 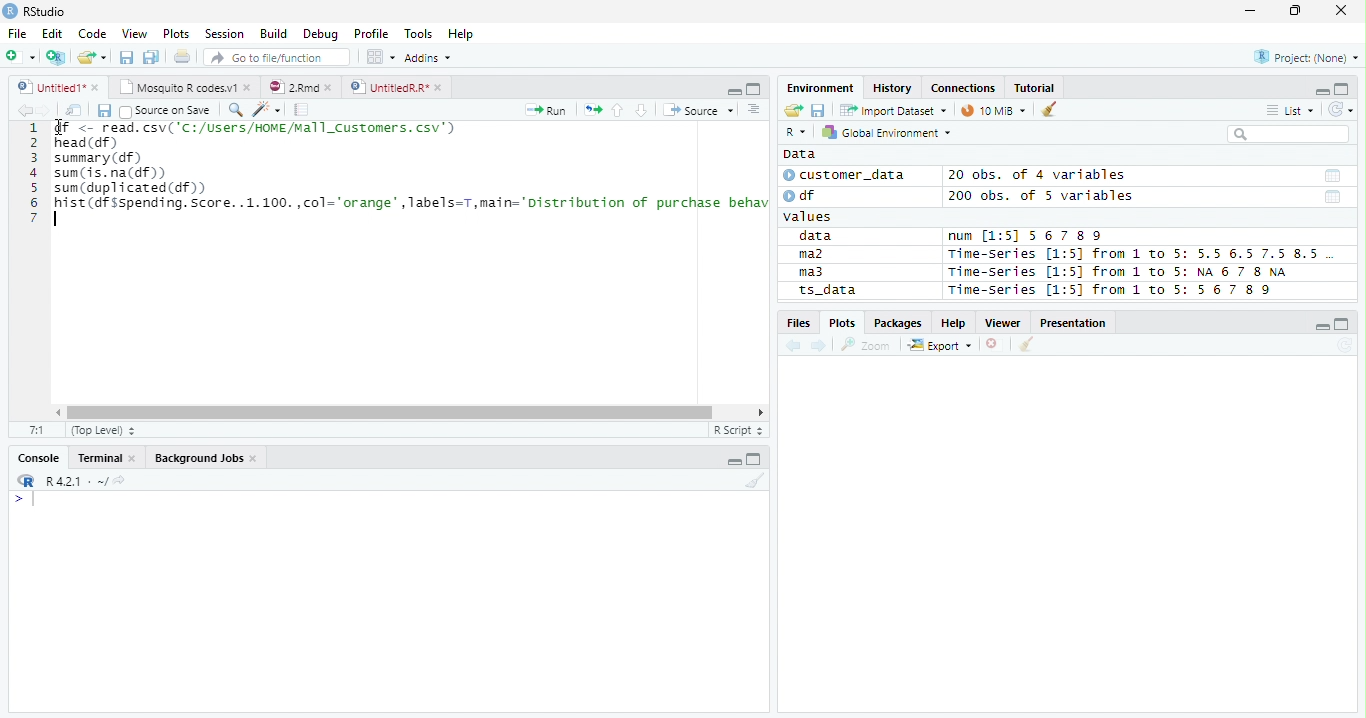 I want to click on Date, so click(x=1331, y=176).